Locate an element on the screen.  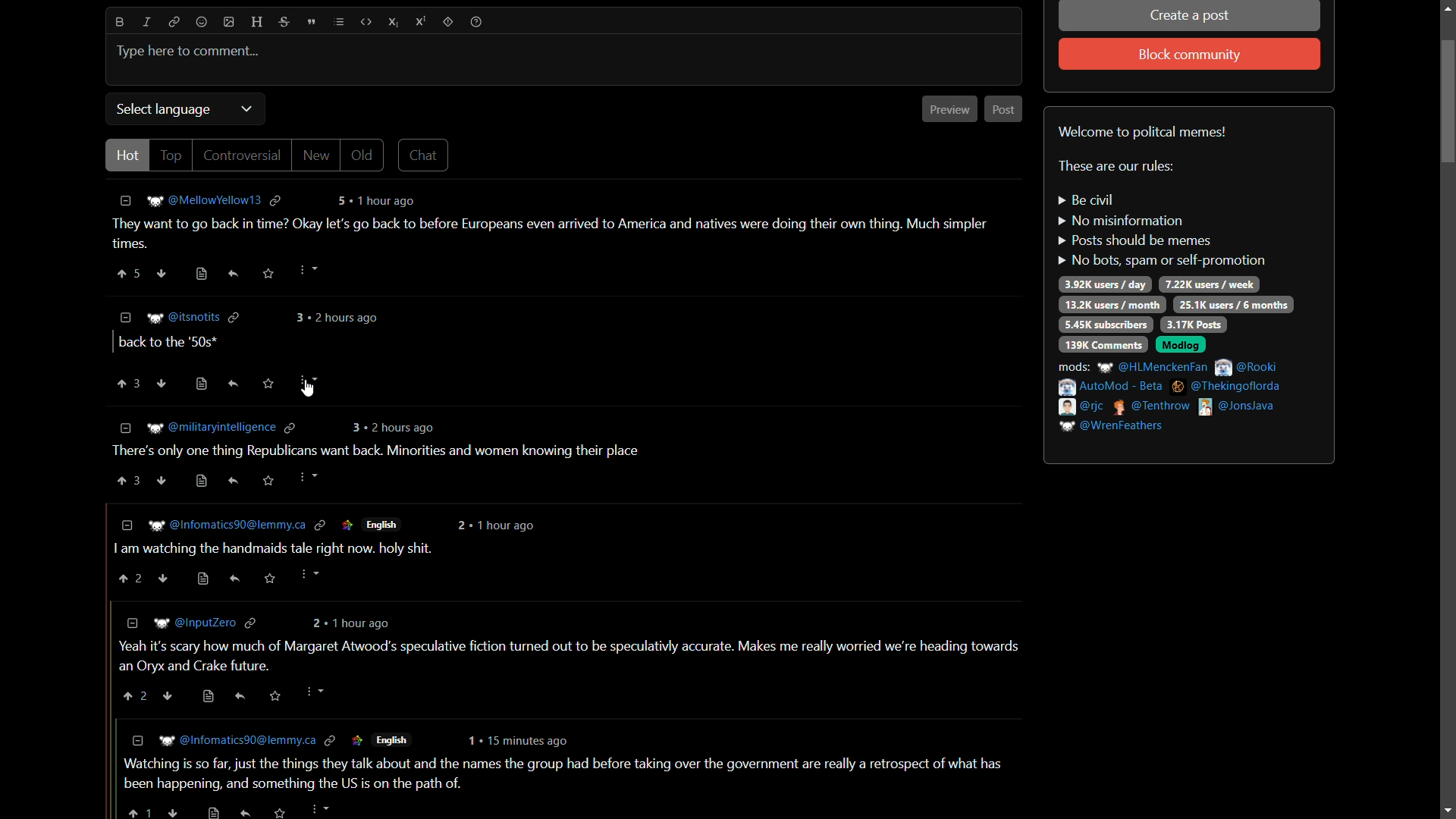
5.45k subscribers is located at coordinates (1106, 325).